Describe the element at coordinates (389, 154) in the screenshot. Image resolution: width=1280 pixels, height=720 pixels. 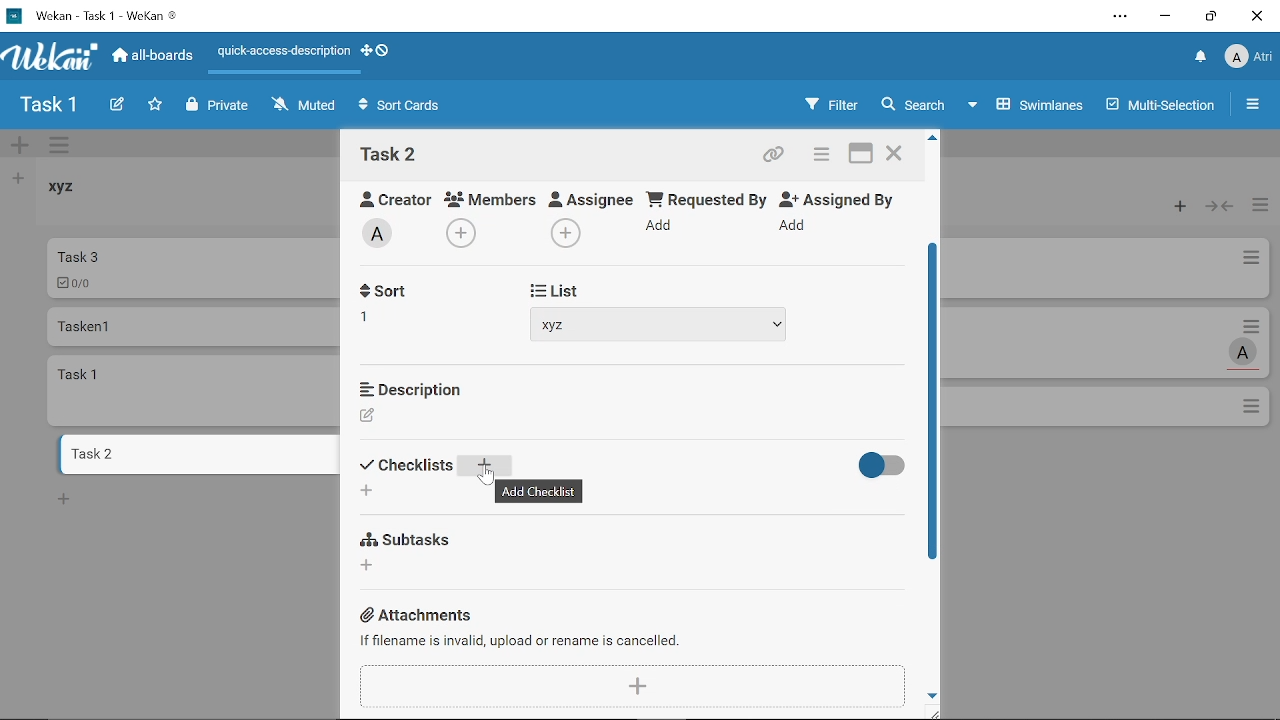
I see `Card name` at that location.